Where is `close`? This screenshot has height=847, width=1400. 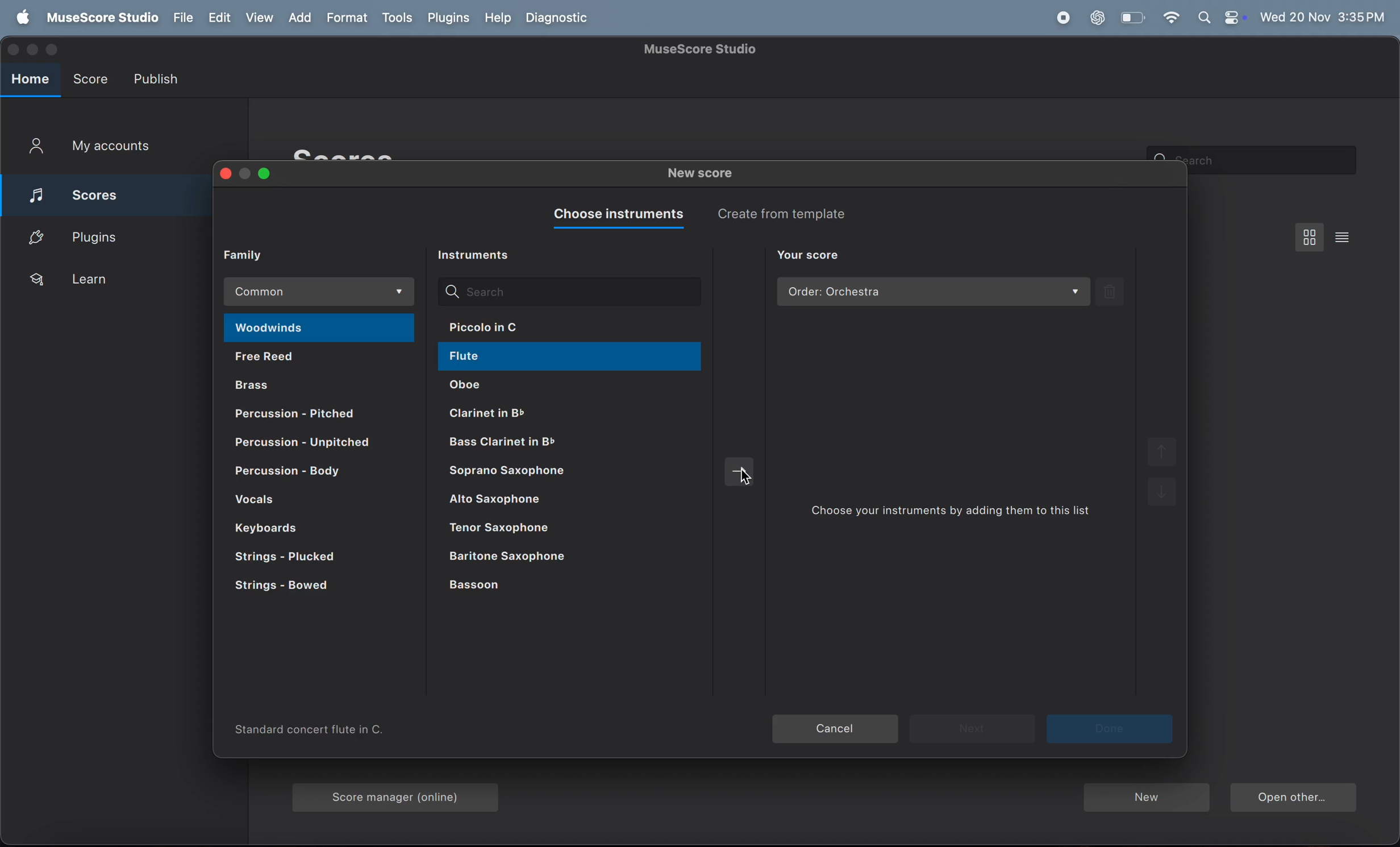
close is located at coordinates (223, 175).